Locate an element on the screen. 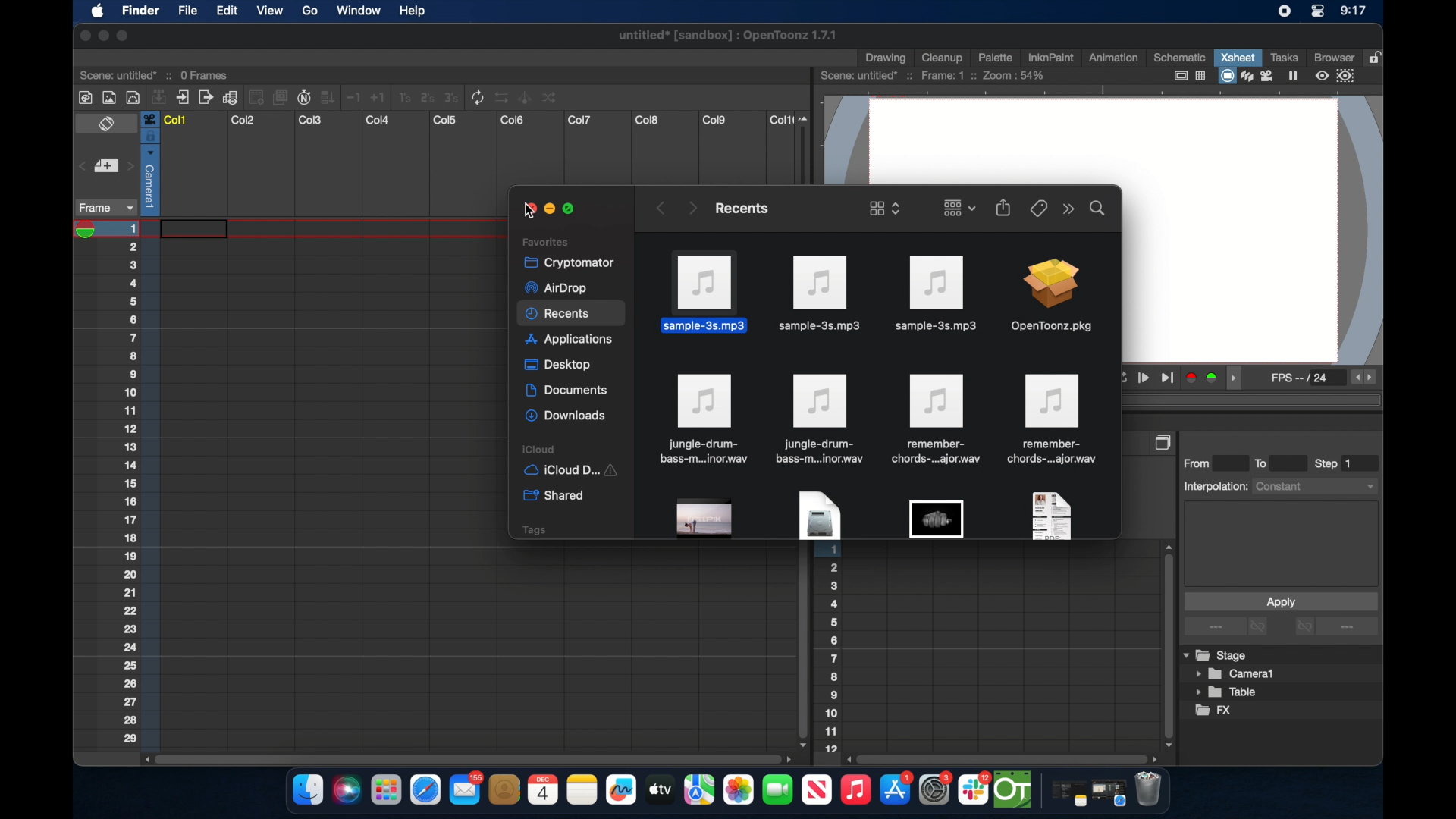 The width and height of the screenshot is (1456, 819). contacts is located at coordinates (505, 789).